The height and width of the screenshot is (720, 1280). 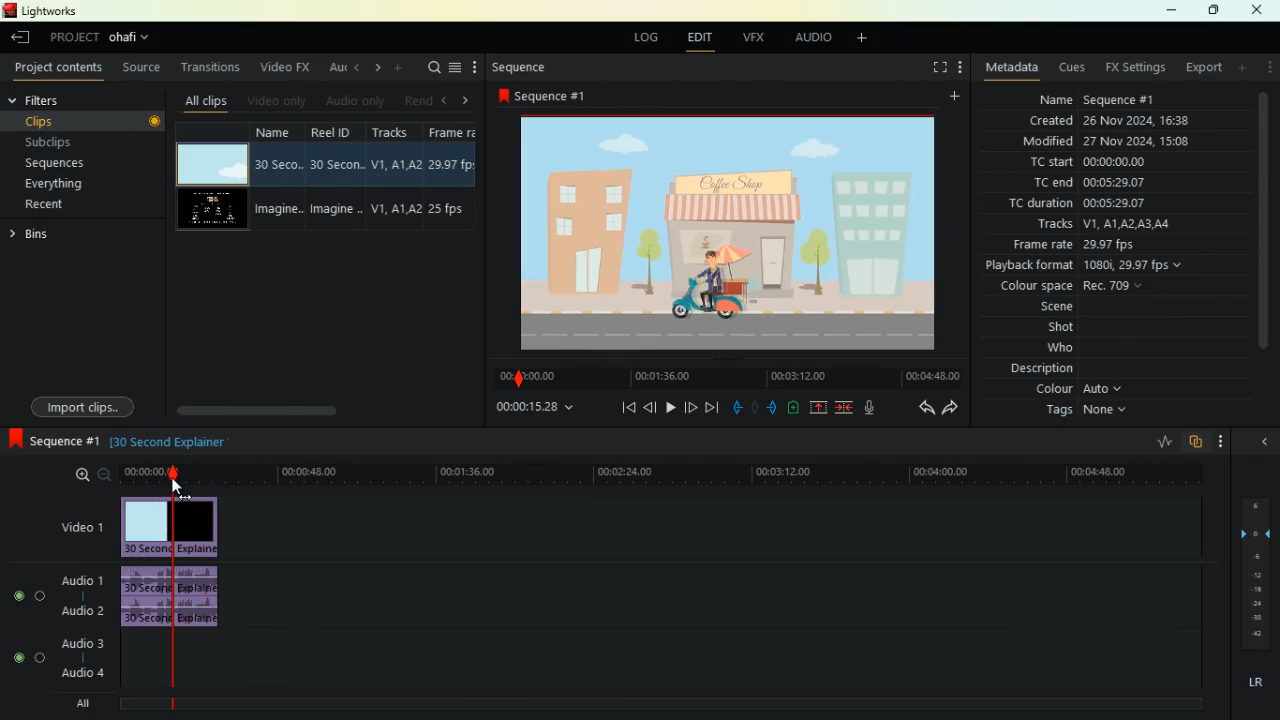 What do you see at coordinates (452, 164) in the screenshot?
I see `29.97` at bounding box center [452, 164].